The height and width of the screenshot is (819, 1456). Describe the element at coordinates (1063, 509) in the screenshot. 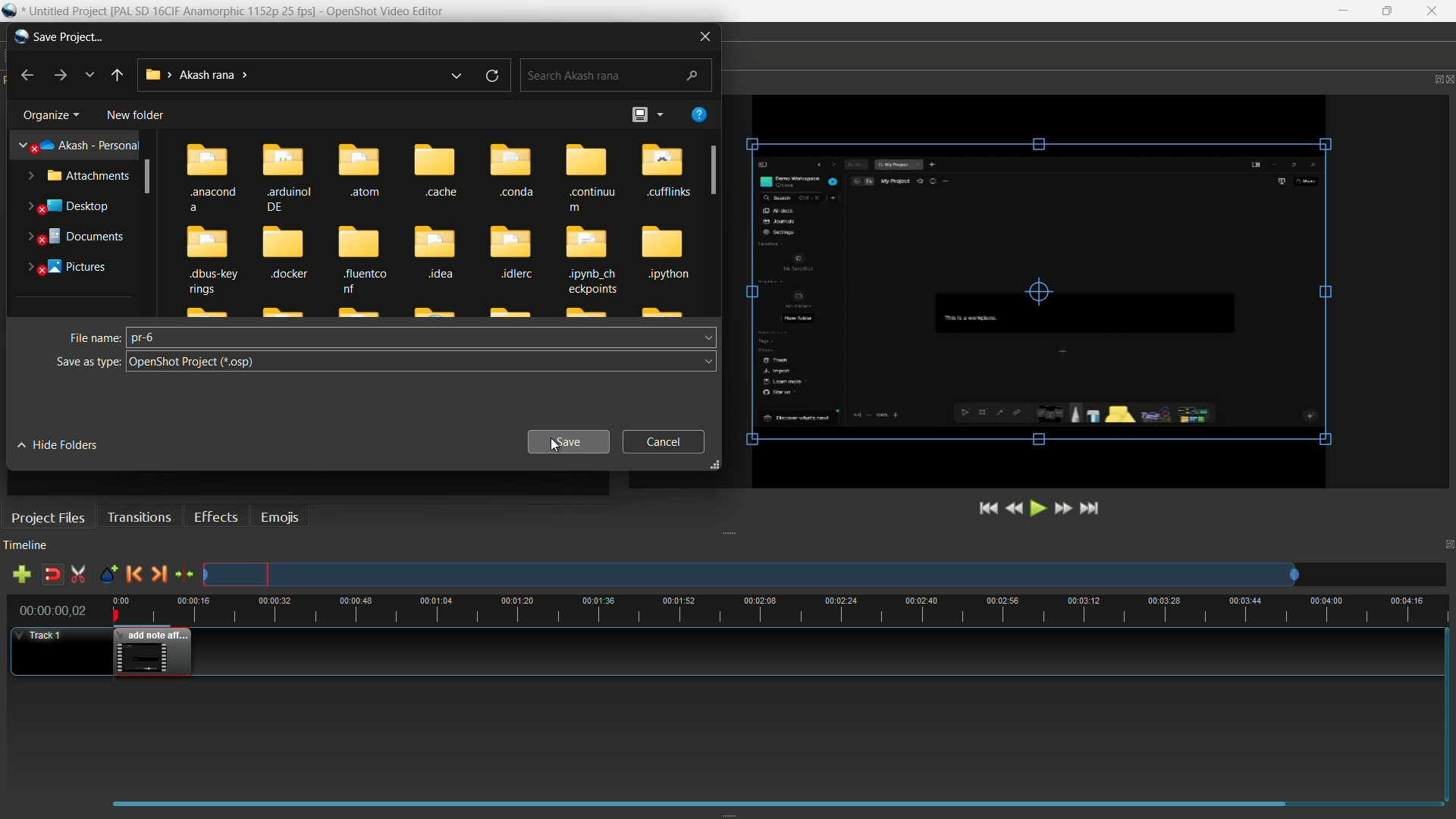

I see `fast forward` at that location.